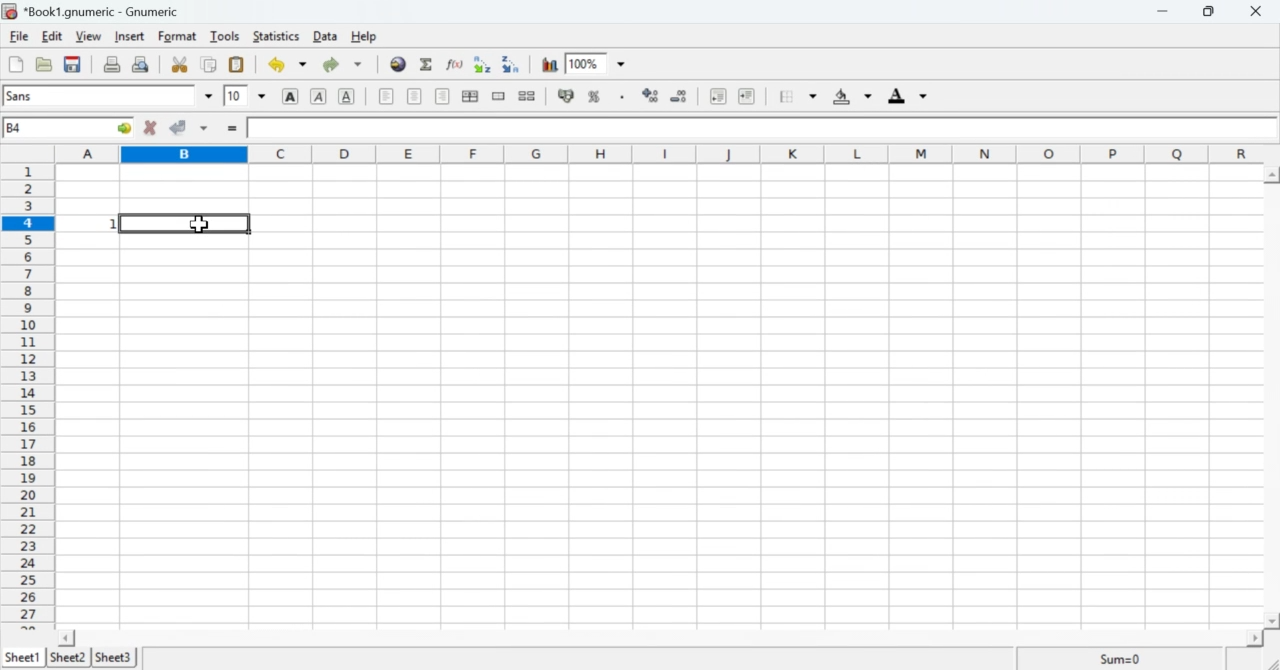 This screenshot has width=1280, height=670. Describe the element at coordinates (1124, 658) in the screenshot. I see `Sum` at that location.